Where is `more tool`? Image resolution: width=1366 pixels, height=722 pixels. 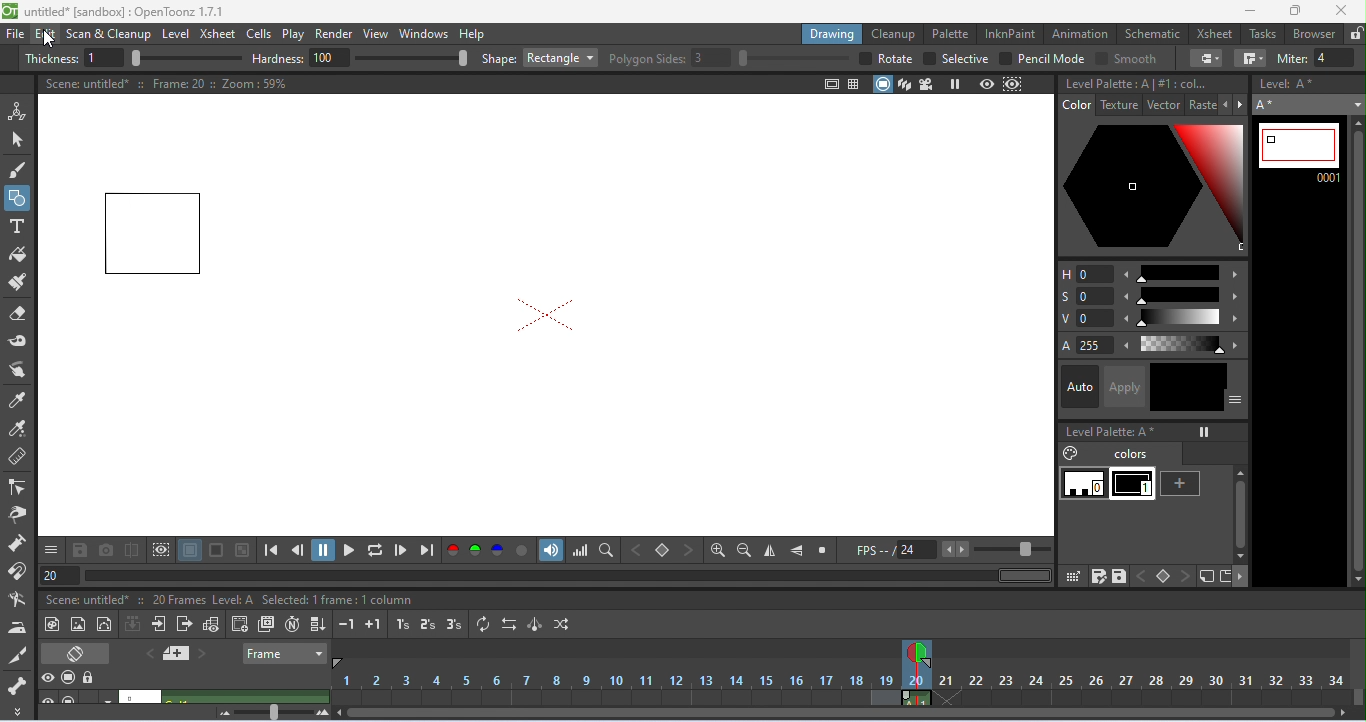
more tool is located at coordinates (15, 710).